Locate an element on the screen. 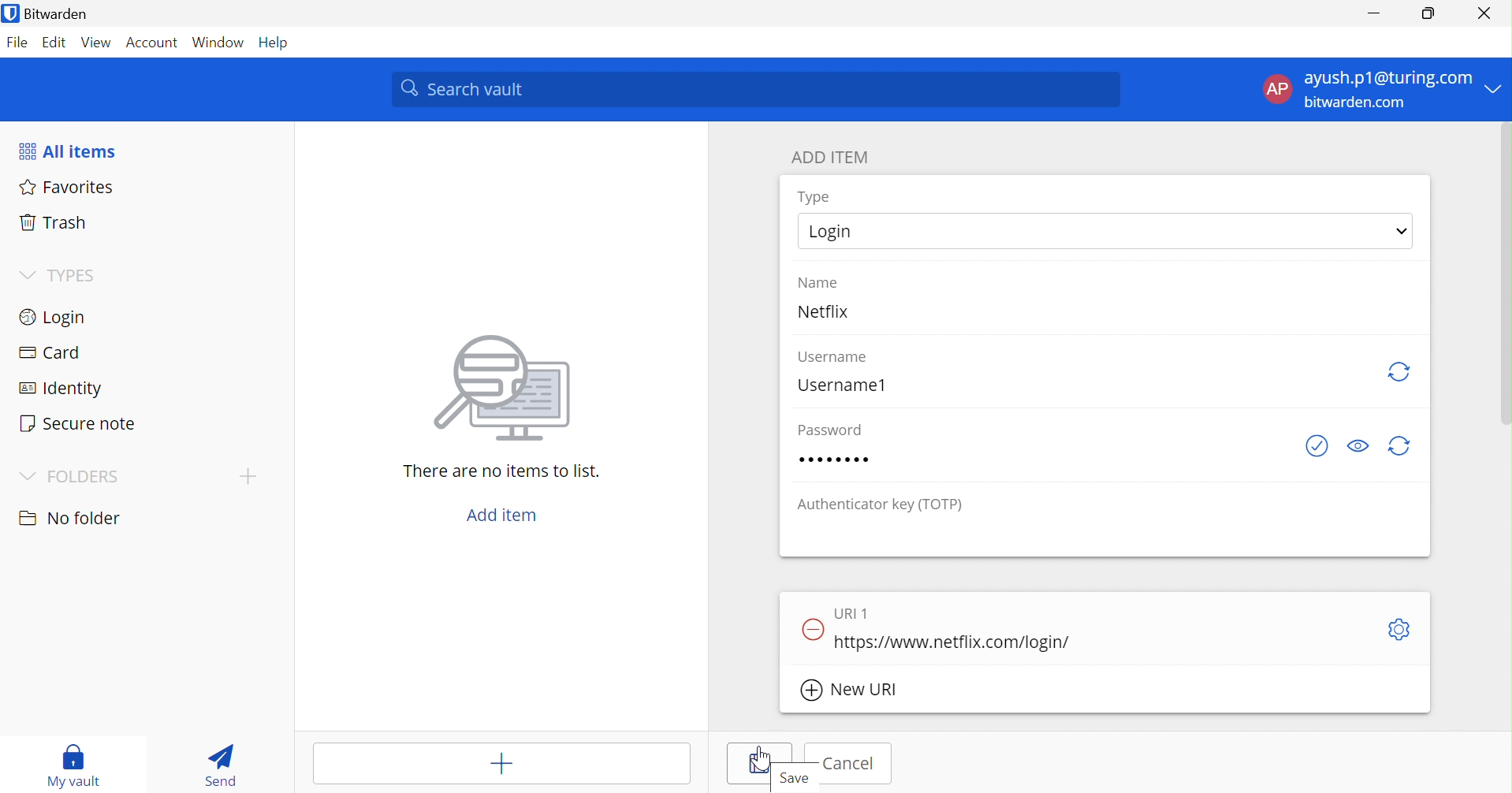  Name is located at coordinates (818, 282).